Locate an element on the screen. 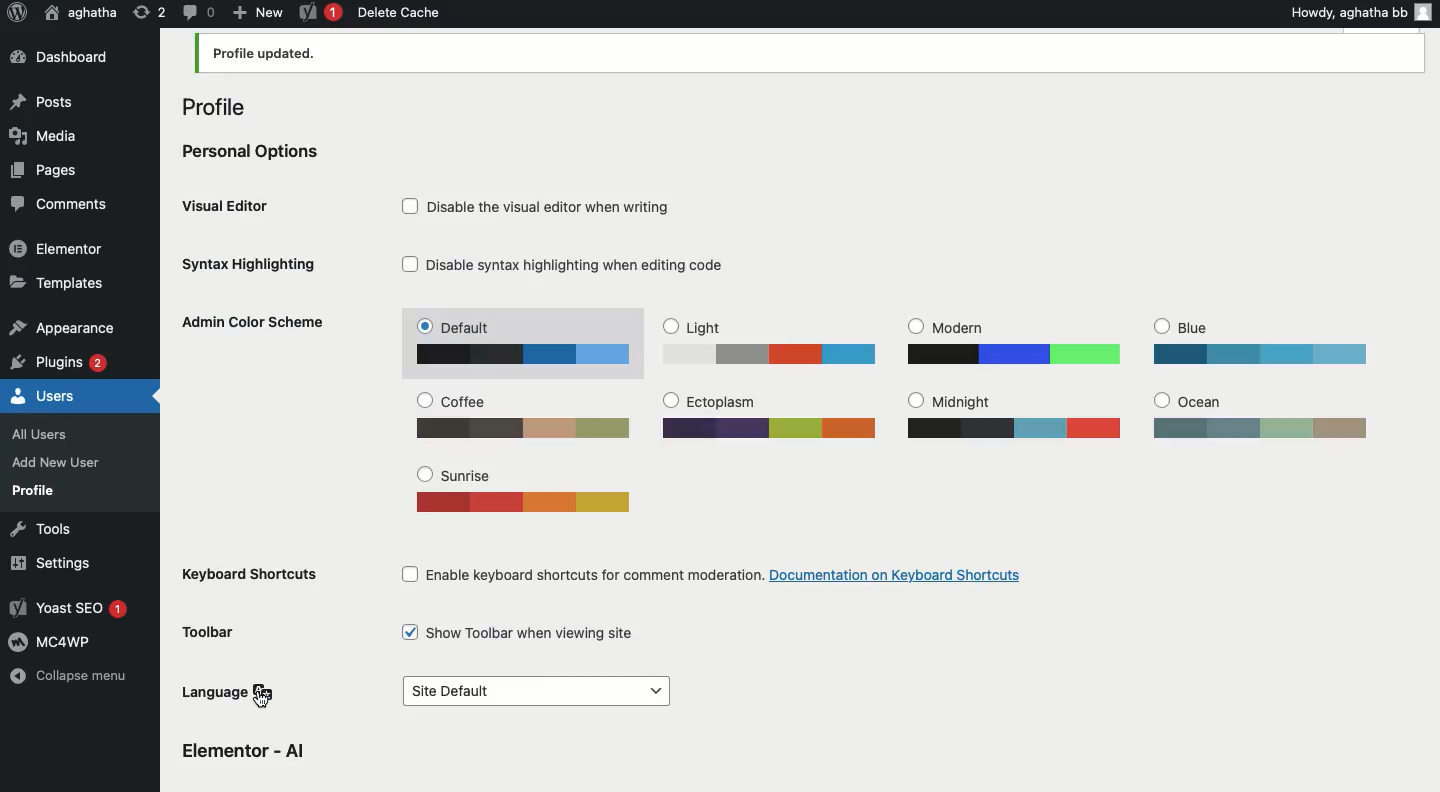 The image size is (1440, 792). Sunrise is located at coordinates (527, 493).